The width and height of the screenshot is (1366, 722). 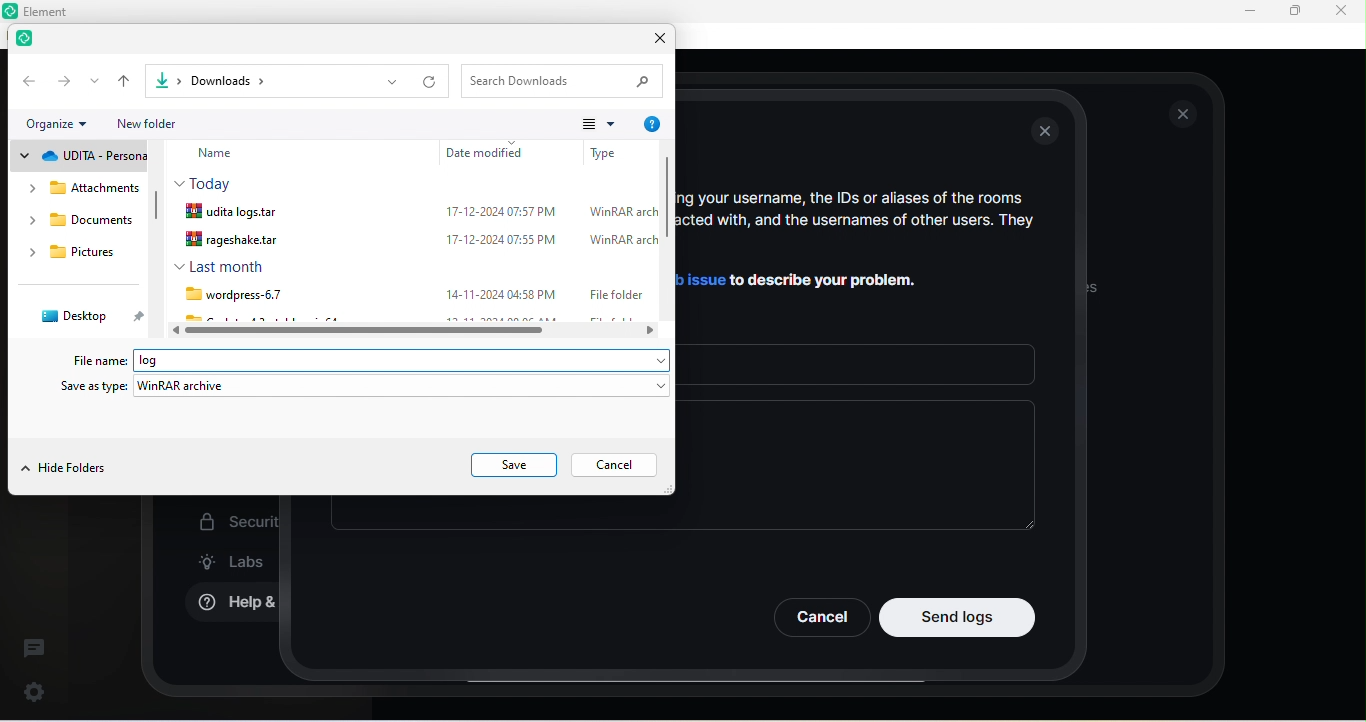 What do you see at coordinates (651, 125) in the screenshot?
I see `help` at bounding box center [651, 125].